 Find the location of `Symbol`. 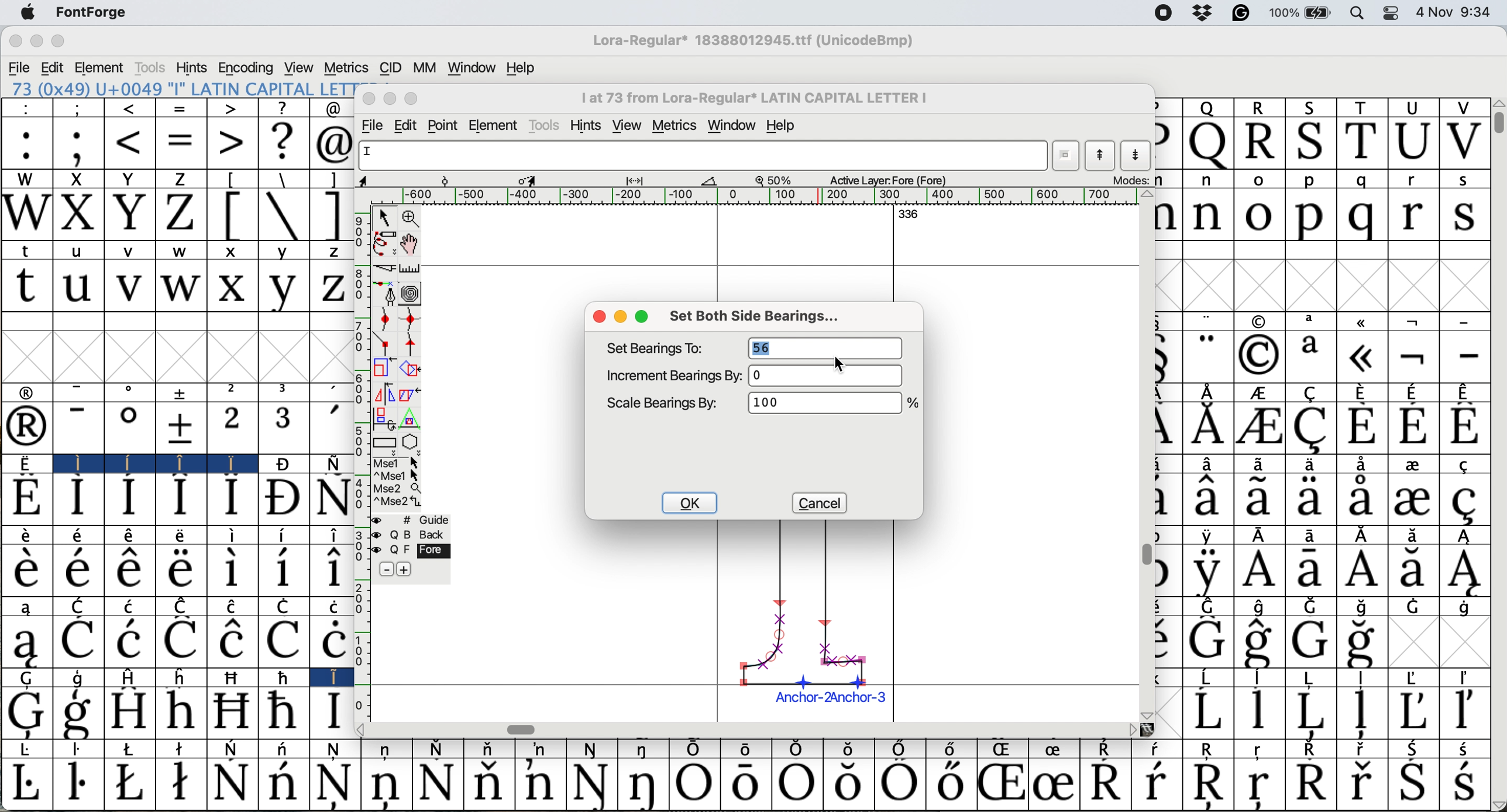

Symbol is located at coordinates (1205, 426).